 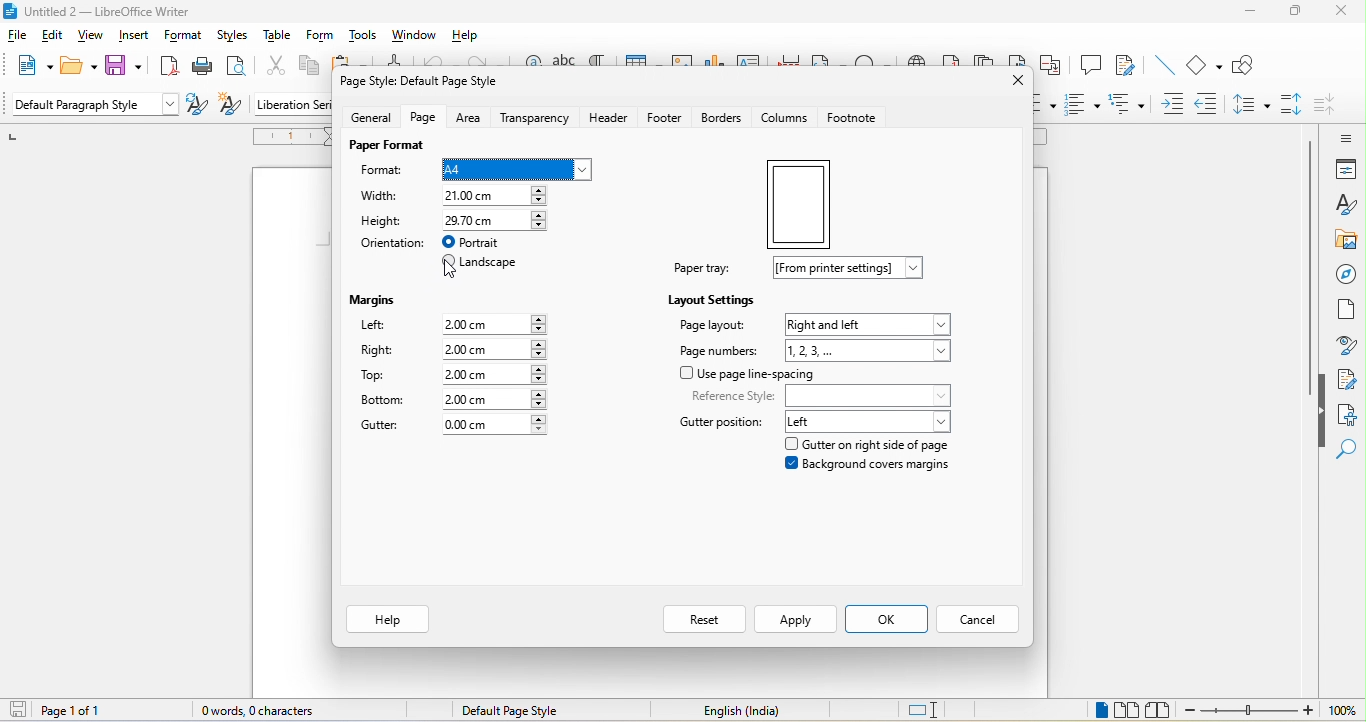 I want to click on cut, so click(x=275, y=69).